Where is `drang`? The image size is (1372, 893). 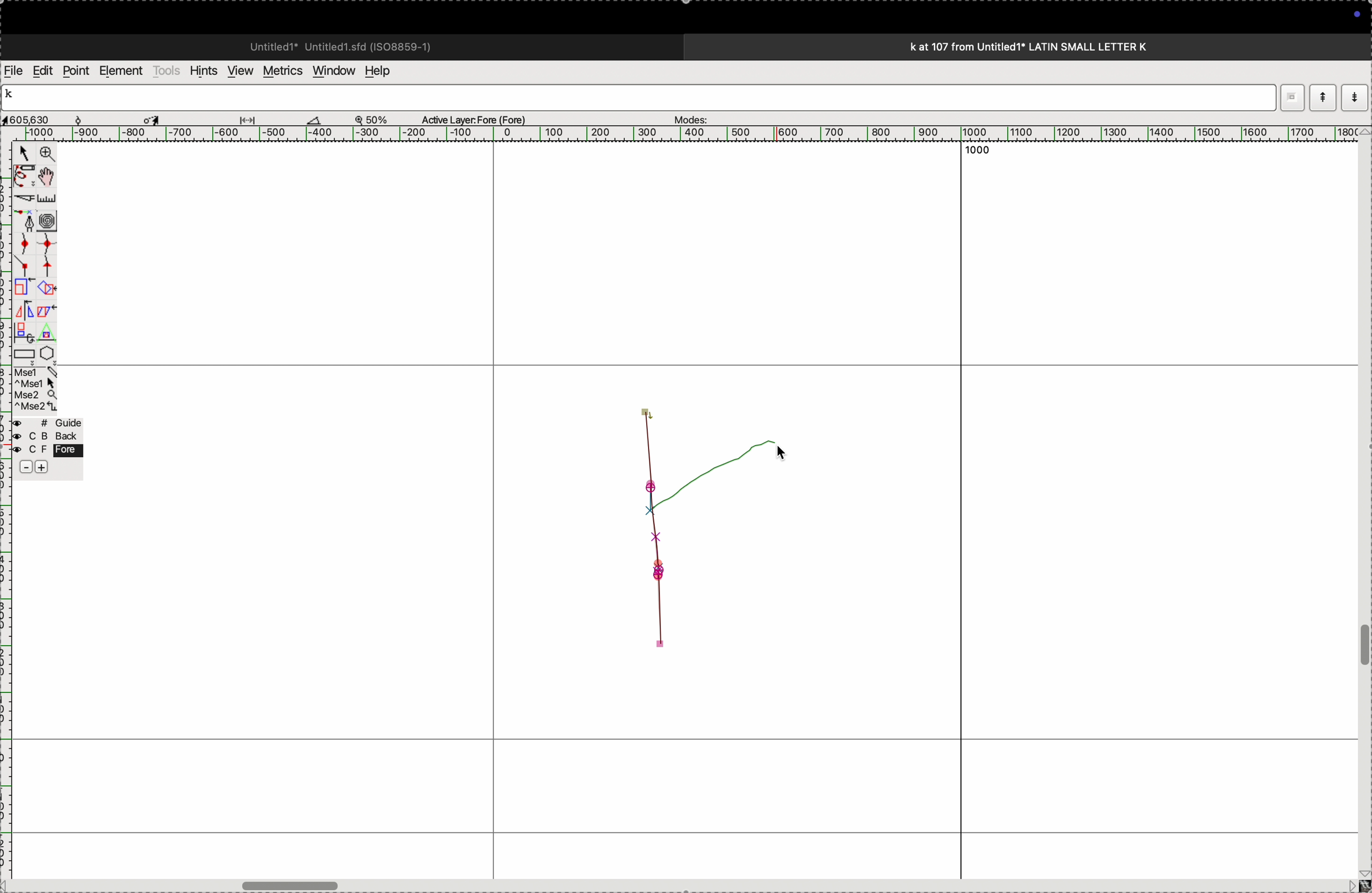 drang is located at coordinates (254, 118).